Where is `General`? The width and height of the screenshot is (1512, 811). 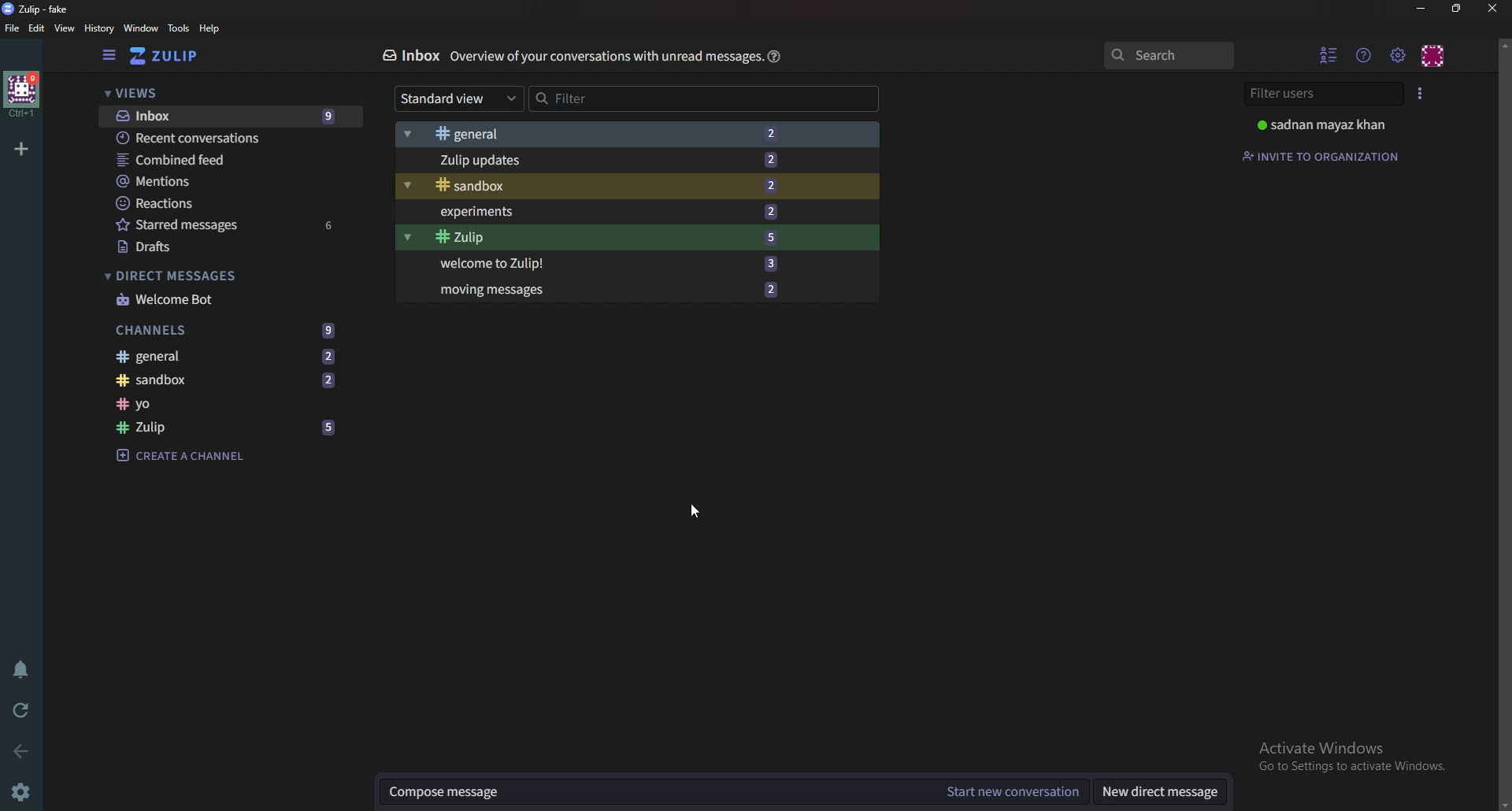 General is located at coordinates (636, 134).